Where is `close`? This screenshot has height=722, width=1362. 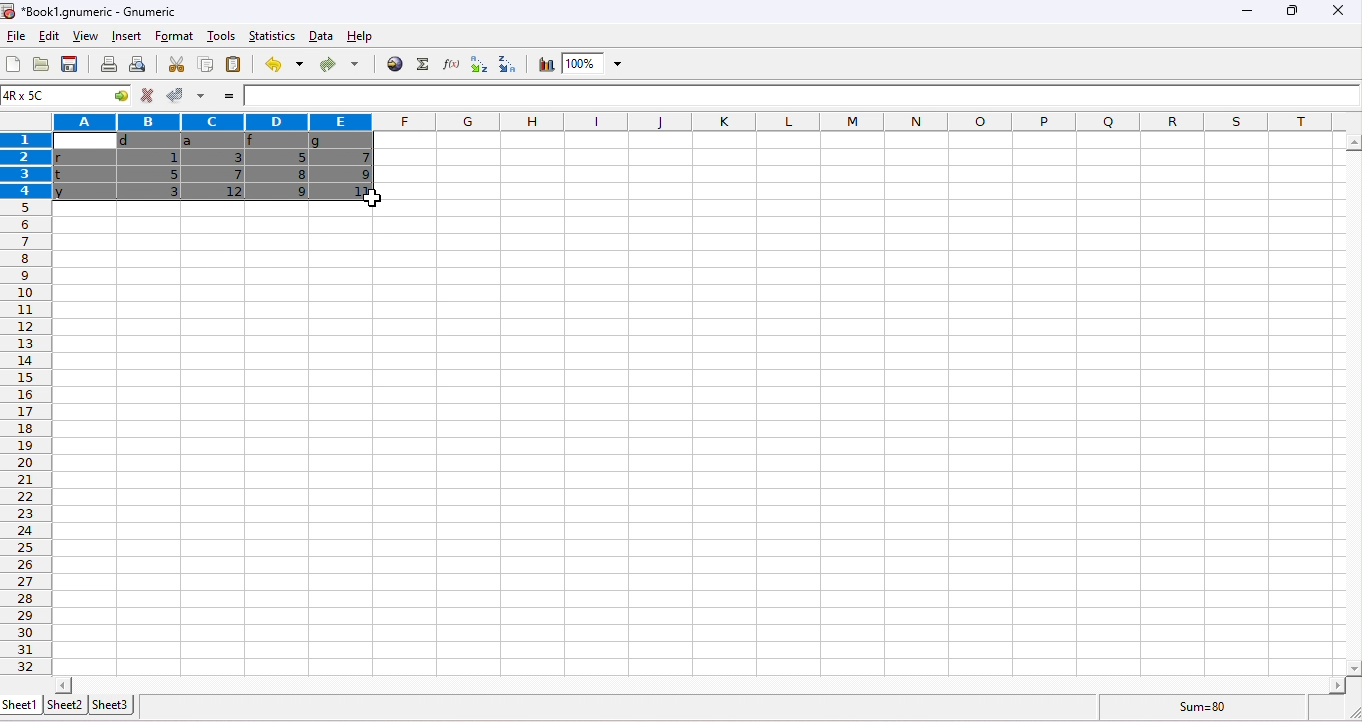 close is located at coordinates (1339, 13).